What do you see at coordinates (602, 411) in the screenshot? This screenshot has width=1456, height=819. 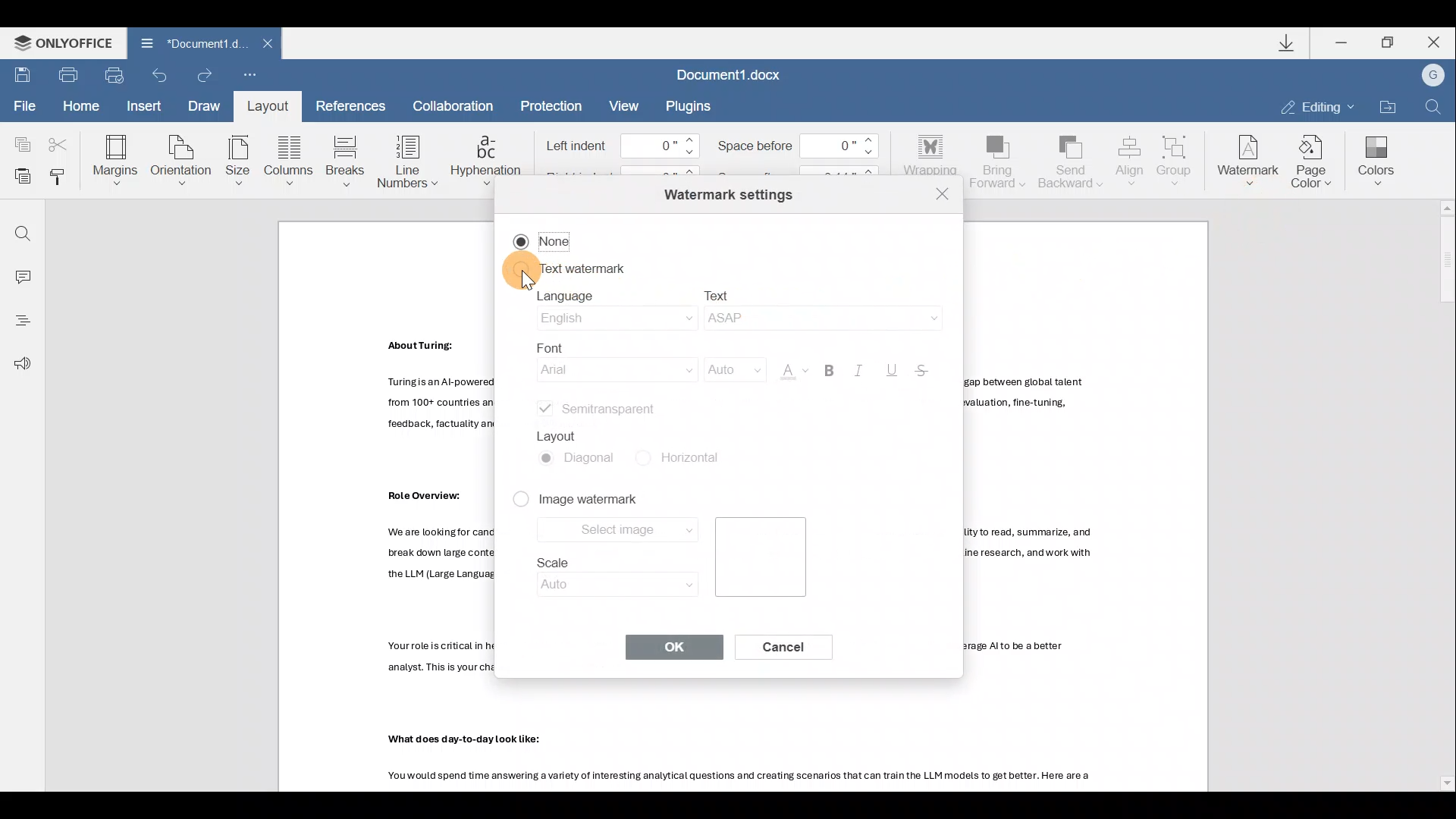 I see `Semitransparent` at bounding box center [602, 411].